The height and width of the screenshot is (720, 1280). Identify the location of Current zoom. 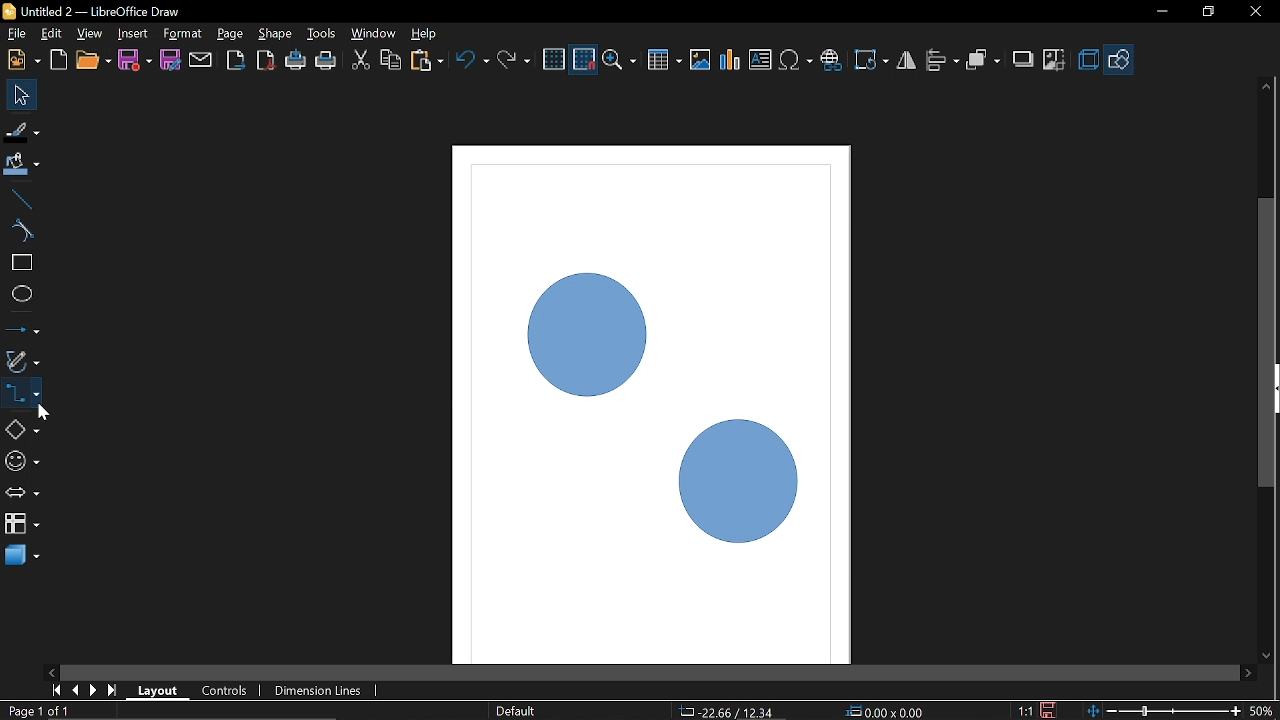
(1262, 710).